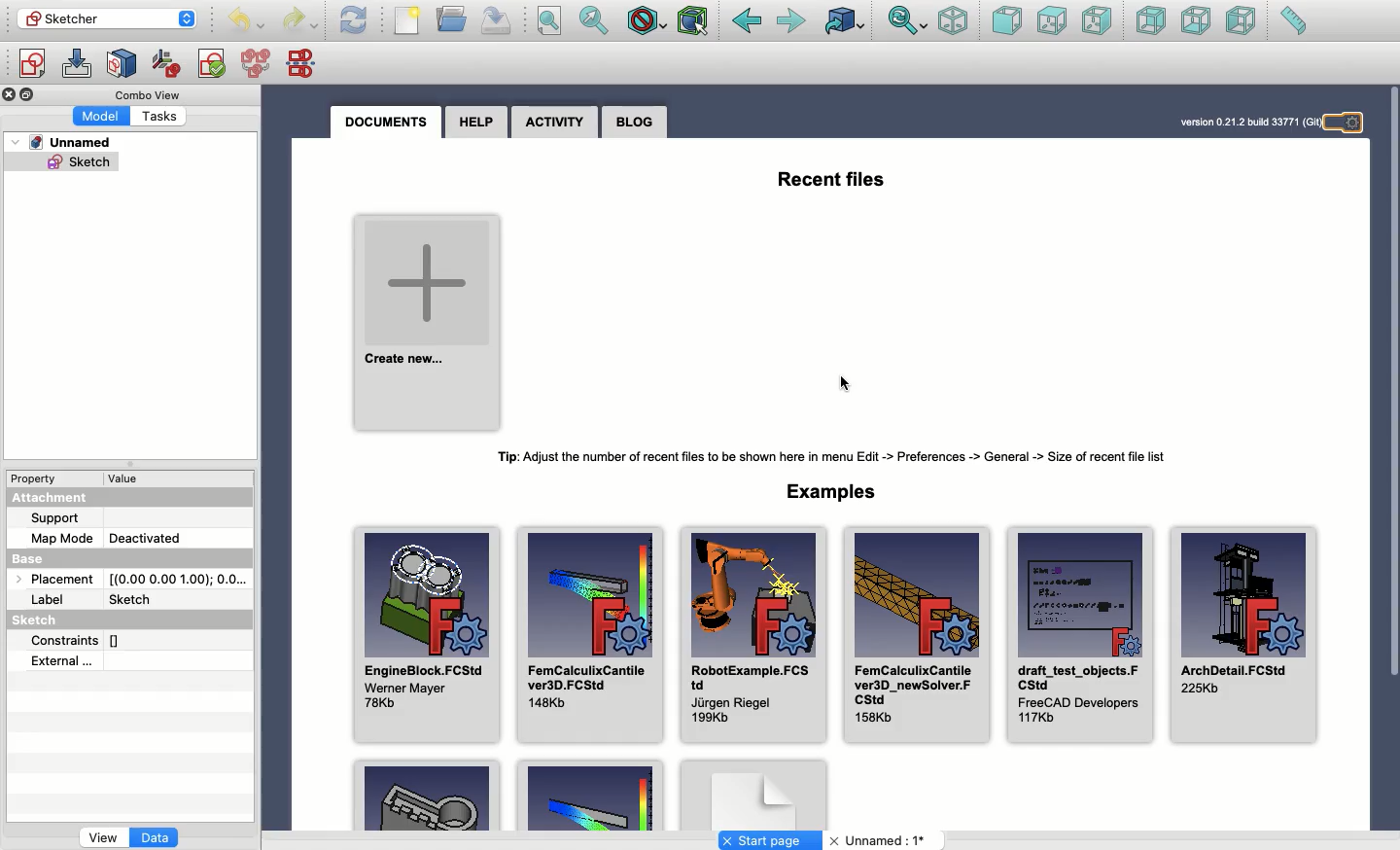  I want to click on Reorient , so click(166, 62).